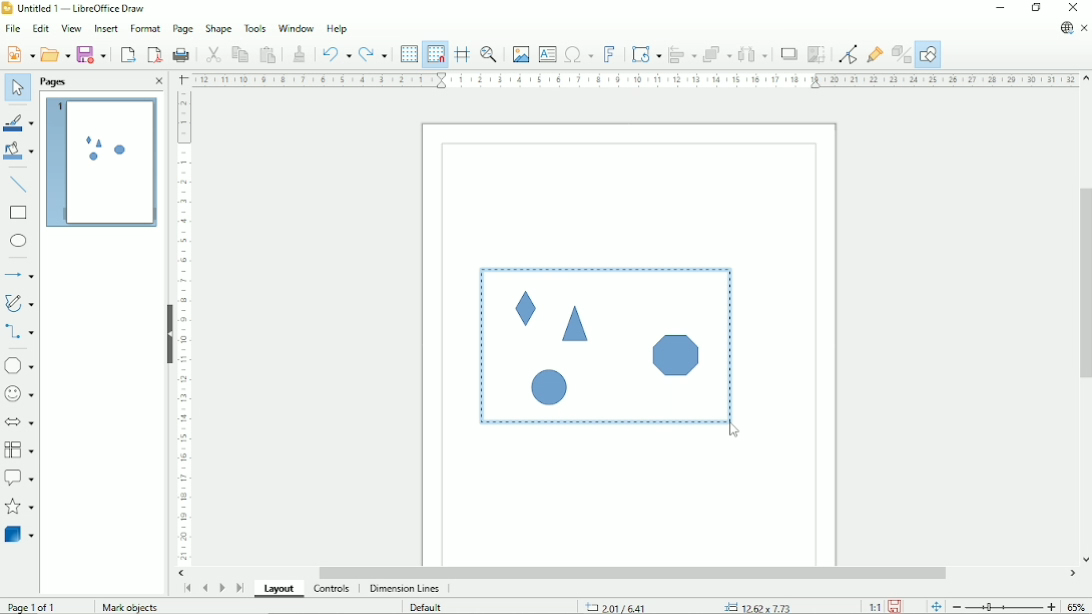 Image resolution: width=1092 pixels, height=614 pixels. Describe the element at coordinates (222, 586) in the screenshot. I see `Scroll to next page` at that location.